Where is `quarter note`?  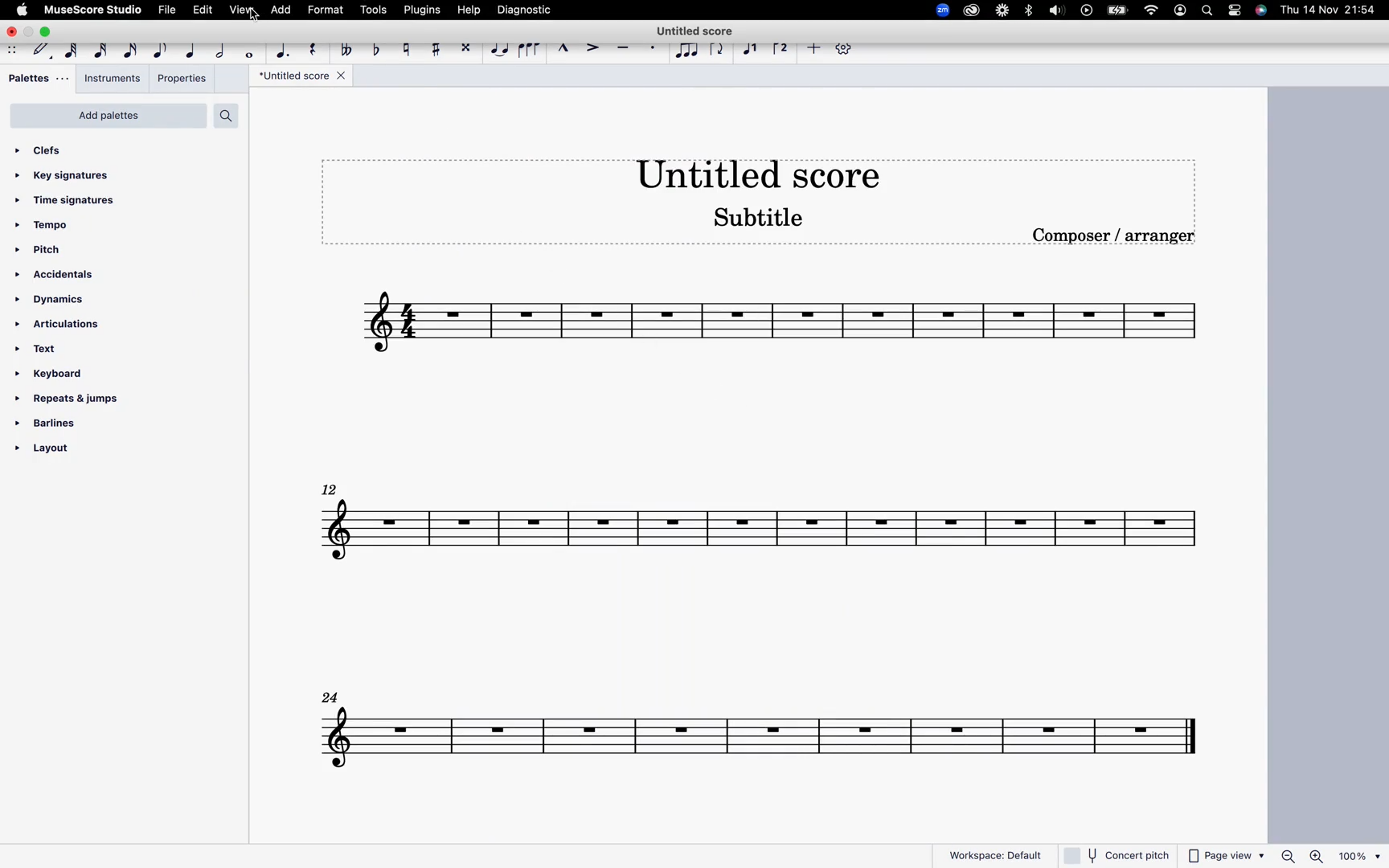 quarter note is located at coordinates (190, 52).